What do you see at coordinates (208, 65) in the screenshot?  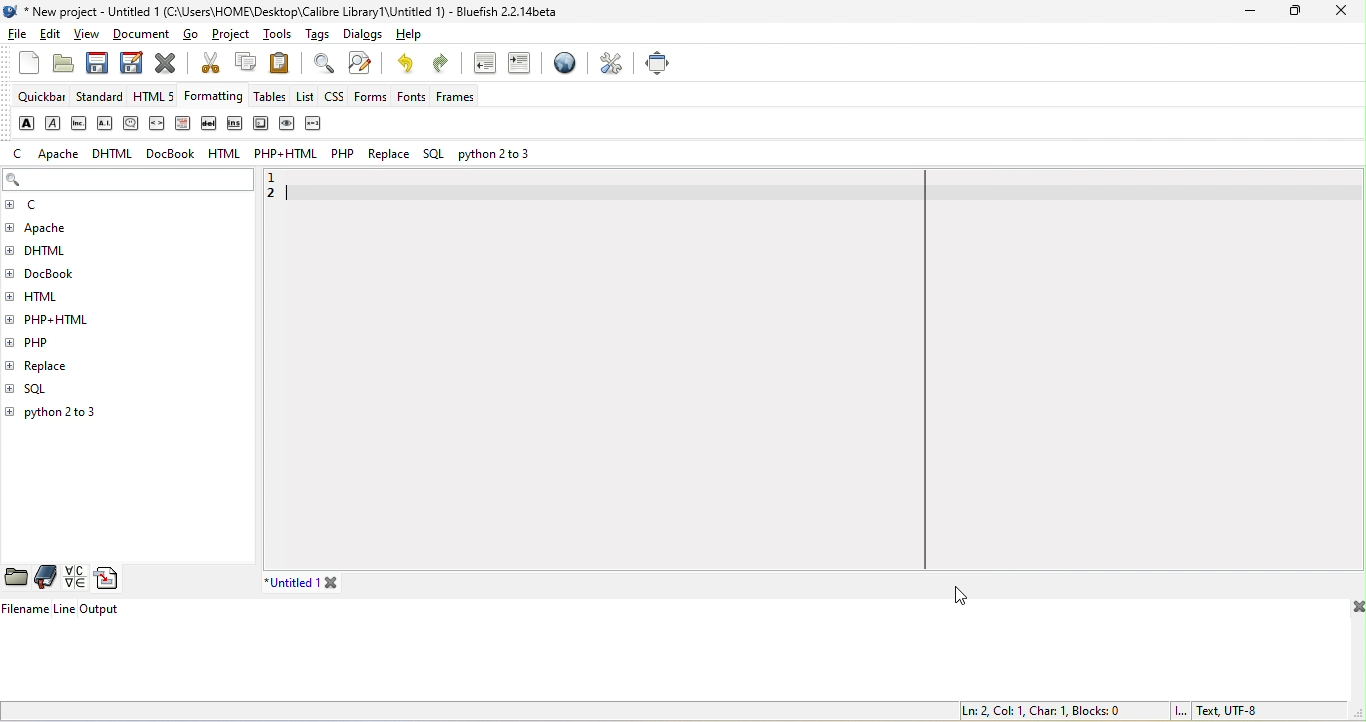 I see `cut` at bounding box center [208, 65].